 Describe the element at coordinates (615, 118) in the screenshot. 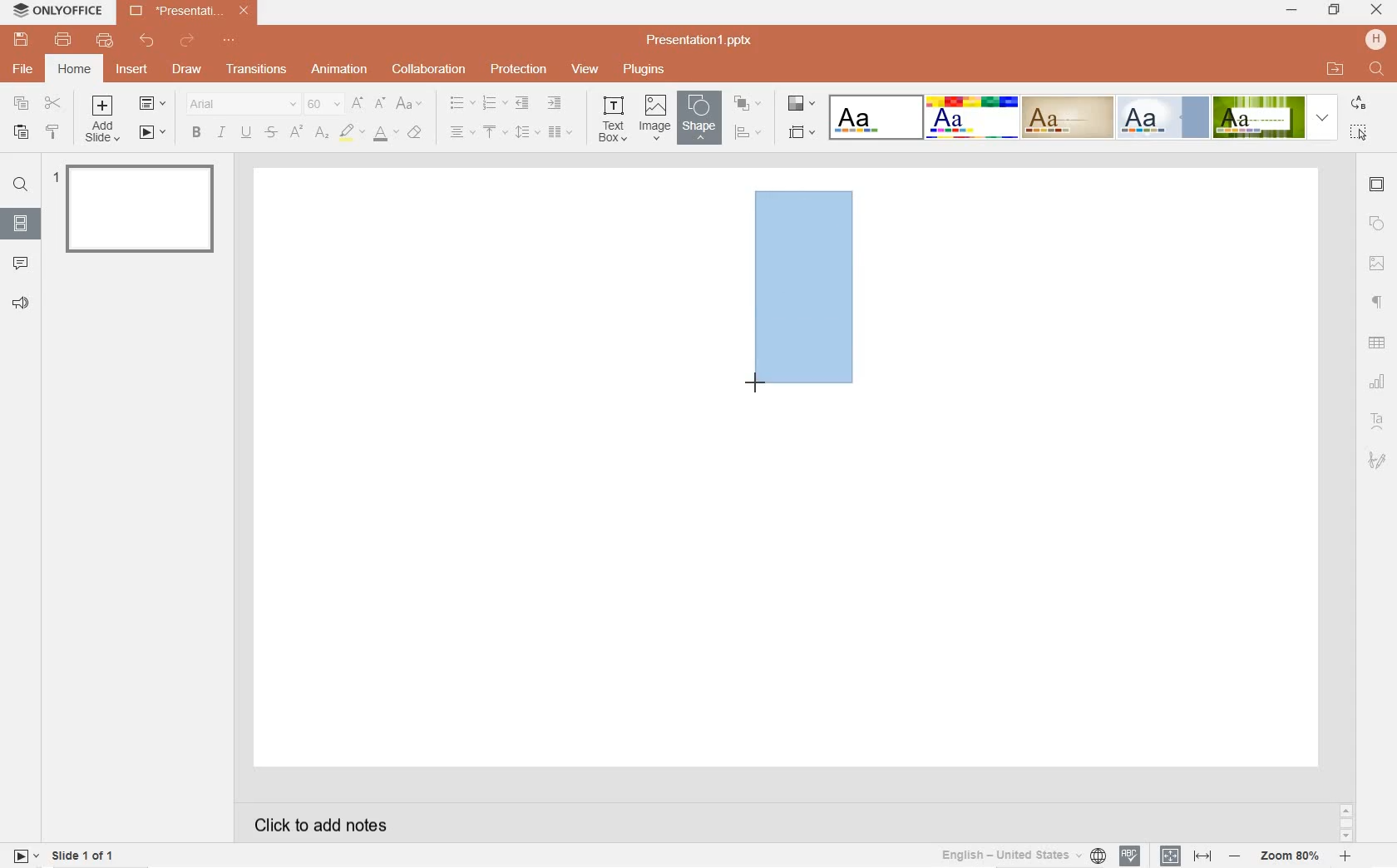

I see `text box` at that location.